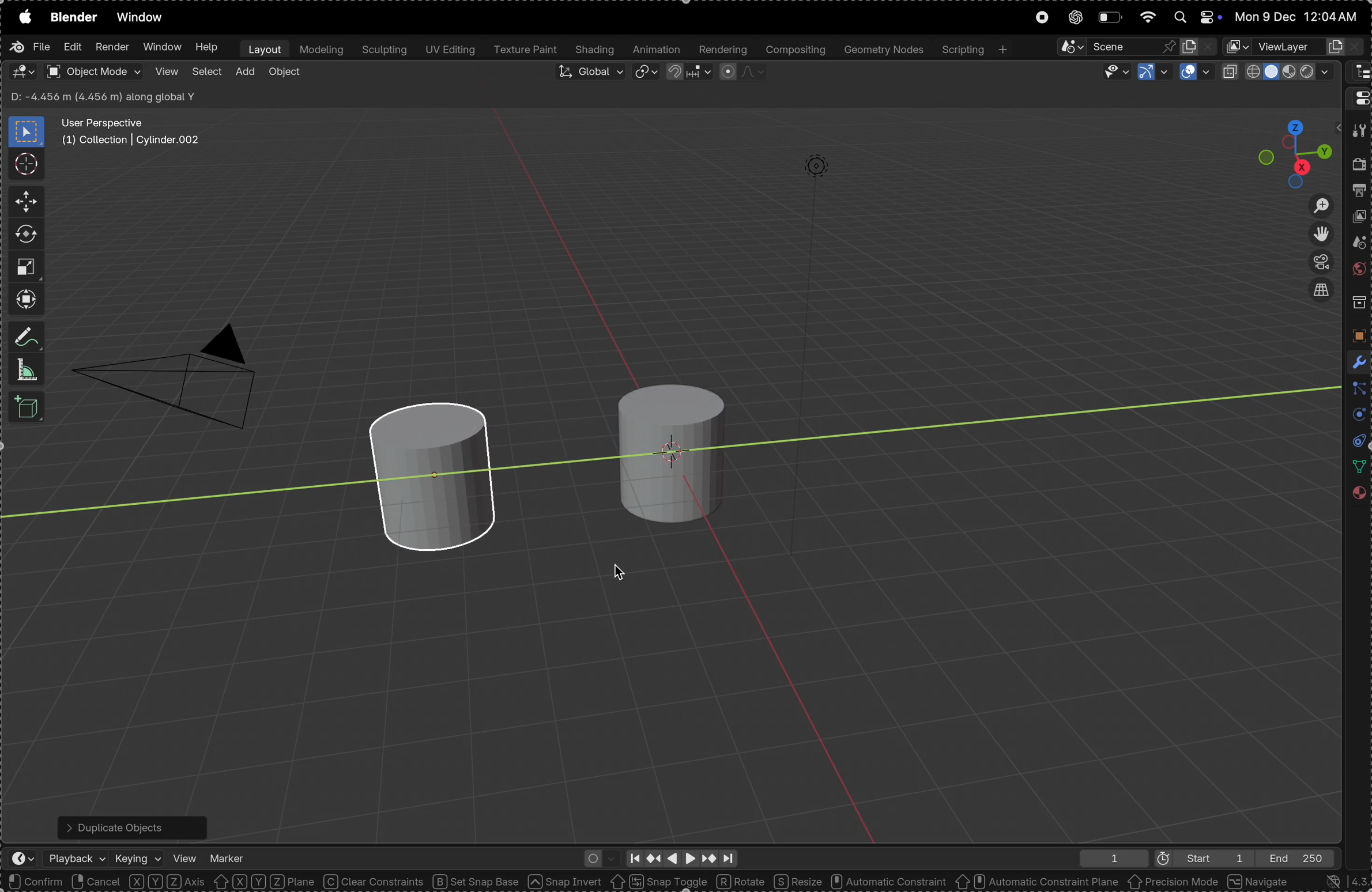  What do you see at coordinates (77, 858) in the screenshot?
I see `play back ` at bounding box center [77, 858].